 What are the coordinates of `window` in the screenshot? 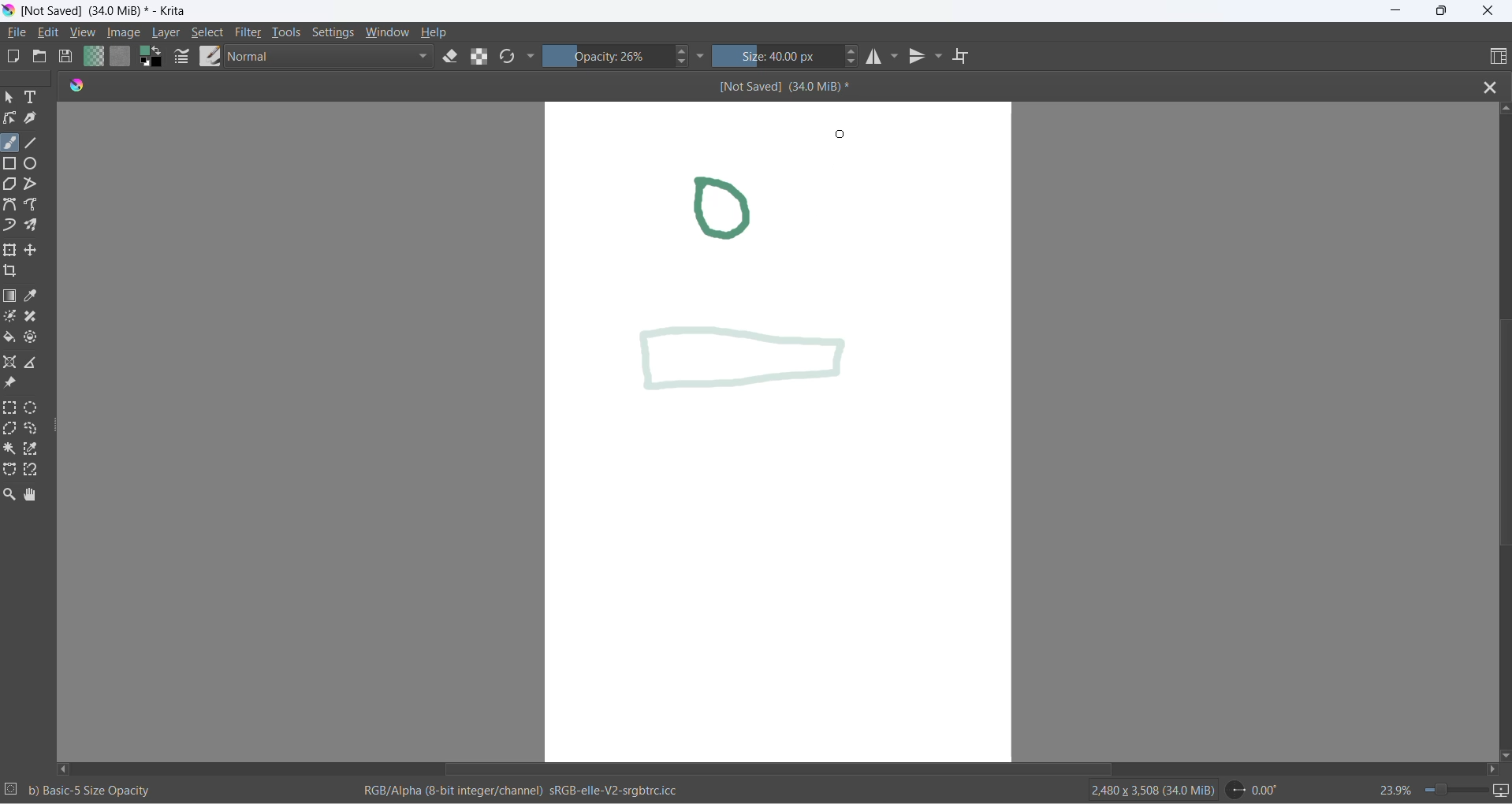 It's located at (383, 33).